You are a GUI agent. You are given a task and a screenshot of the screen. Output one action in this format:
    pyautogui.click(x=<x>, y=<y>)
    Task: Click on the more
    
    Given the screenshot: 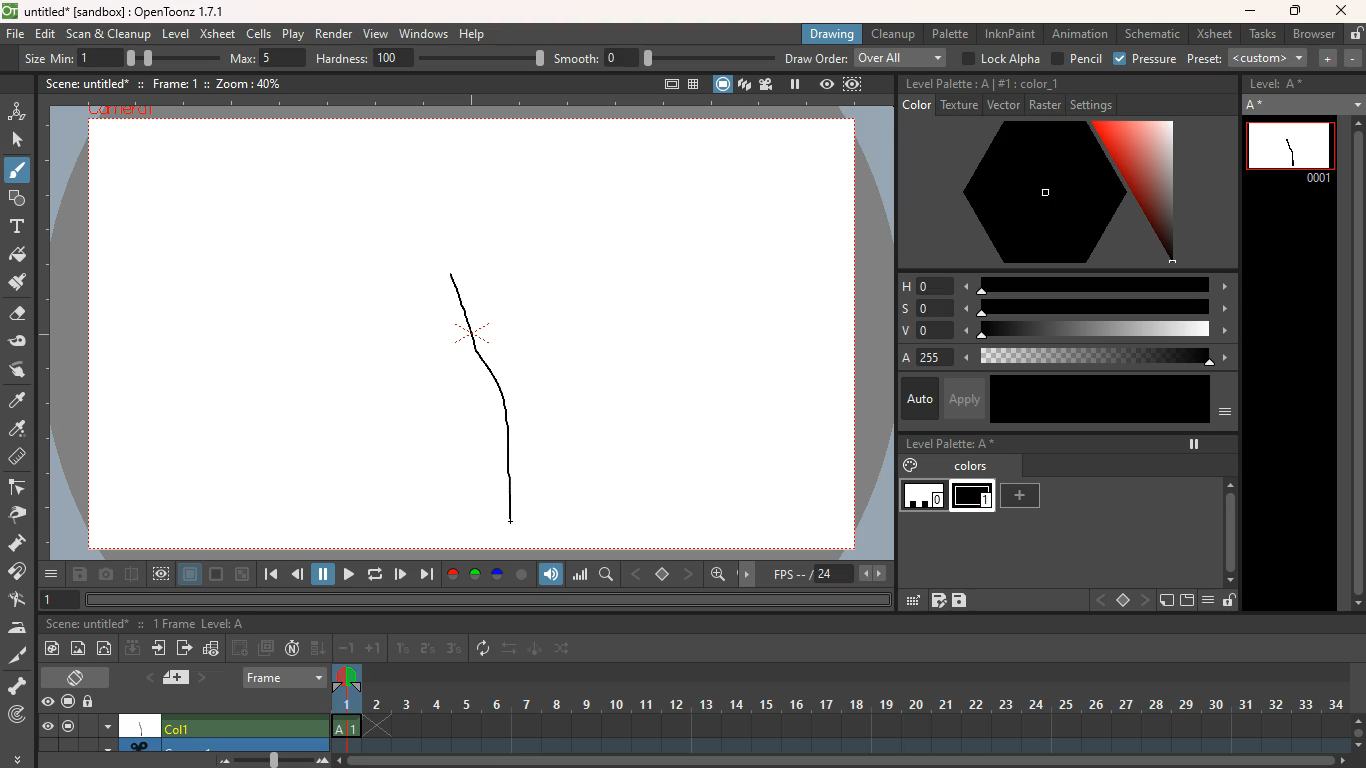 What is the action you would take?
    pyautogui.click(x=51, y=574)
    